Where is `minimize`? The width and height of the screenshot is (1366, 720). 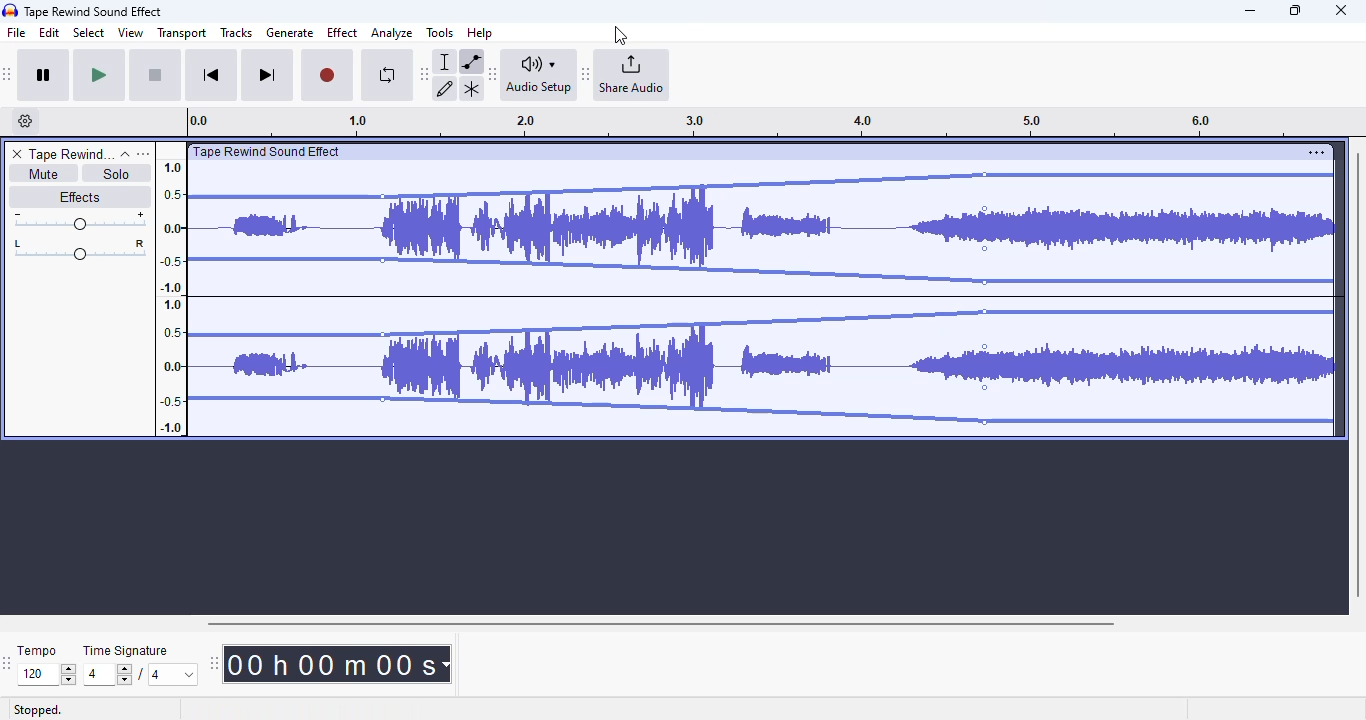 minimize is located at coordinates (1250, 11).